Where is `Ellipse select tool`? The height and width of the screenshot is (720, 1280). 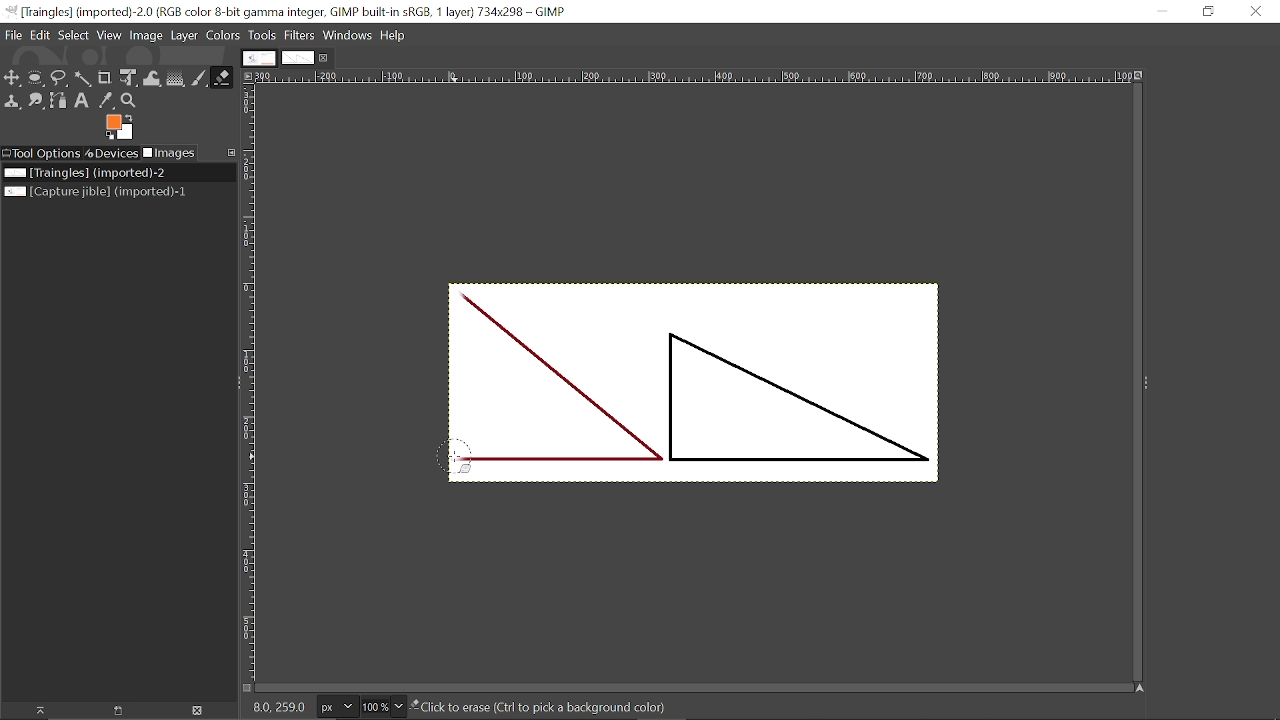 Ellipse select tool is located at coordinates (35, 78).